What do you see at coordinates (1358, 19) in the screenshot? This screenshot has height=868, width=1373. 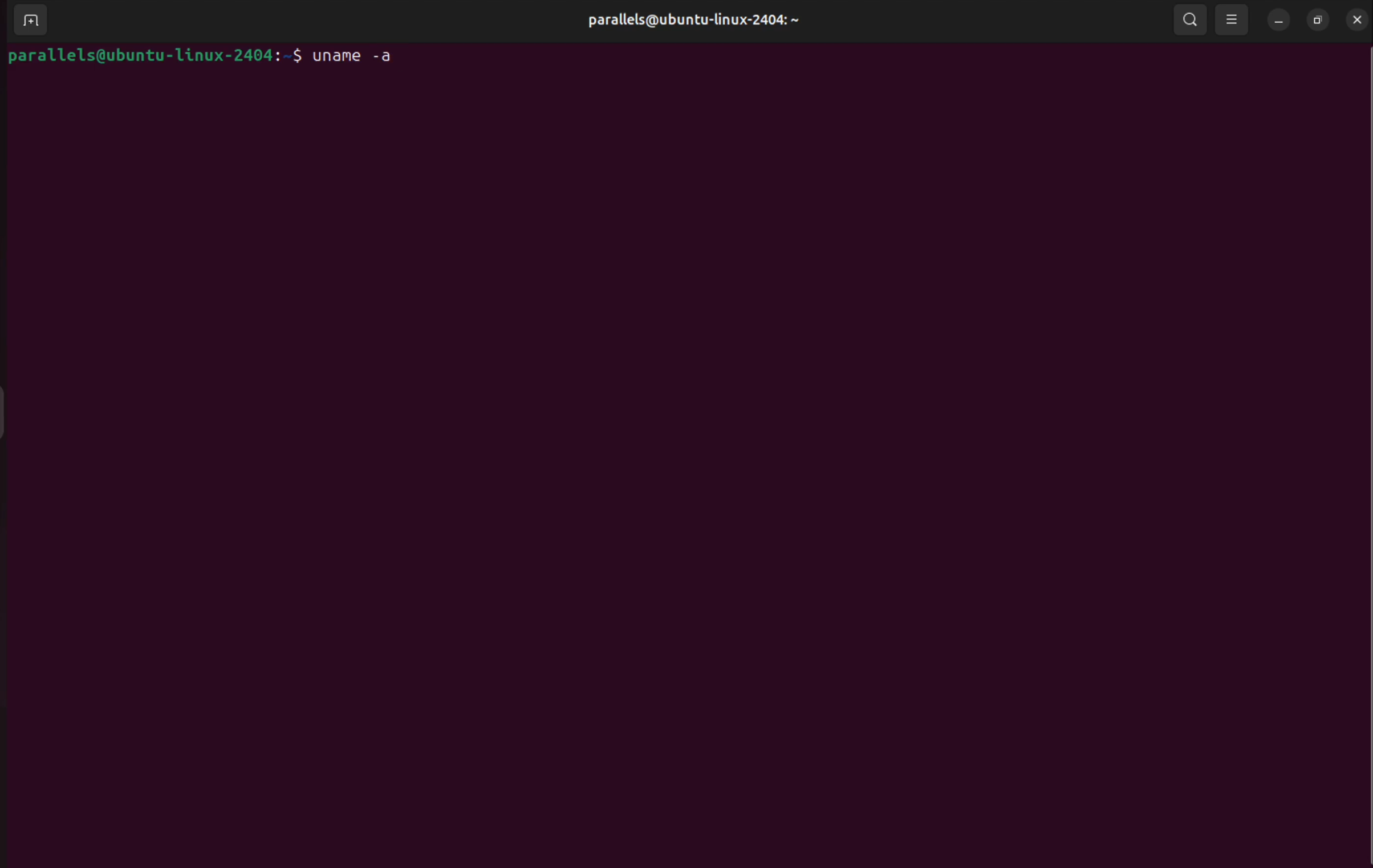 I see `close` at bounding box center [1358, 19].